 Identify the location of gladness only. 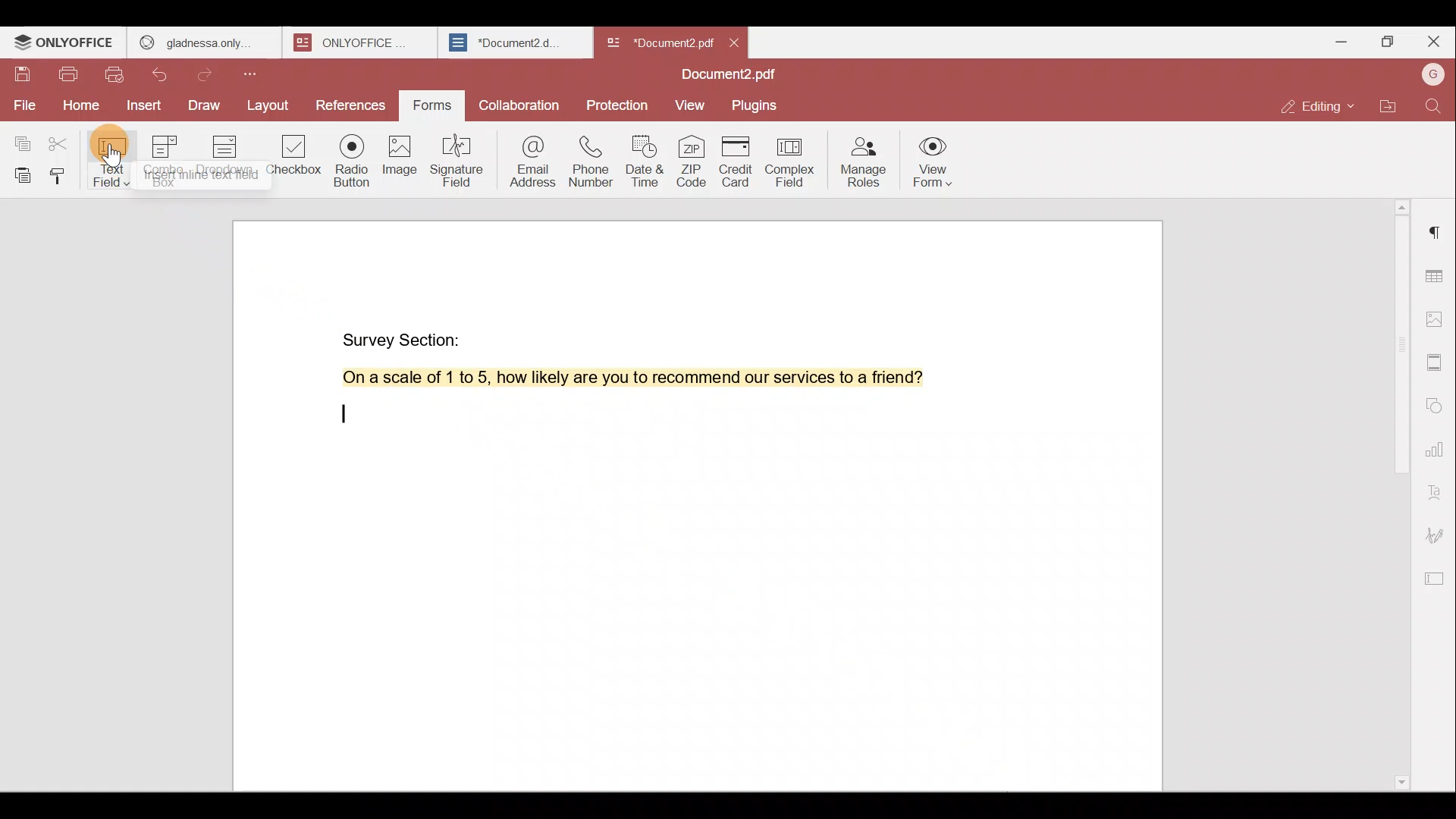
(204, 42).